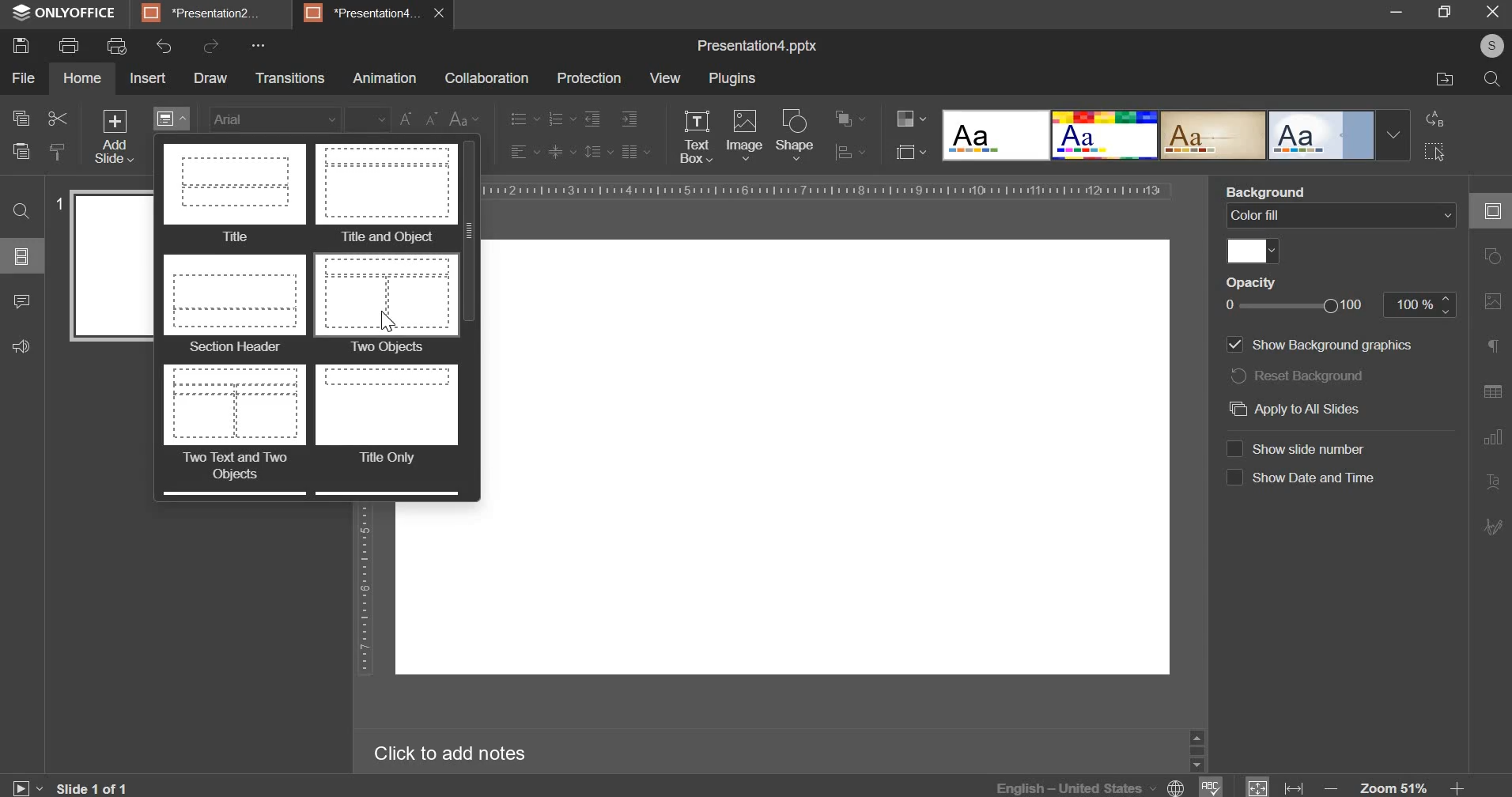 The image size is (1512, 797). I want to click on fit to width, so click(1295, 788).